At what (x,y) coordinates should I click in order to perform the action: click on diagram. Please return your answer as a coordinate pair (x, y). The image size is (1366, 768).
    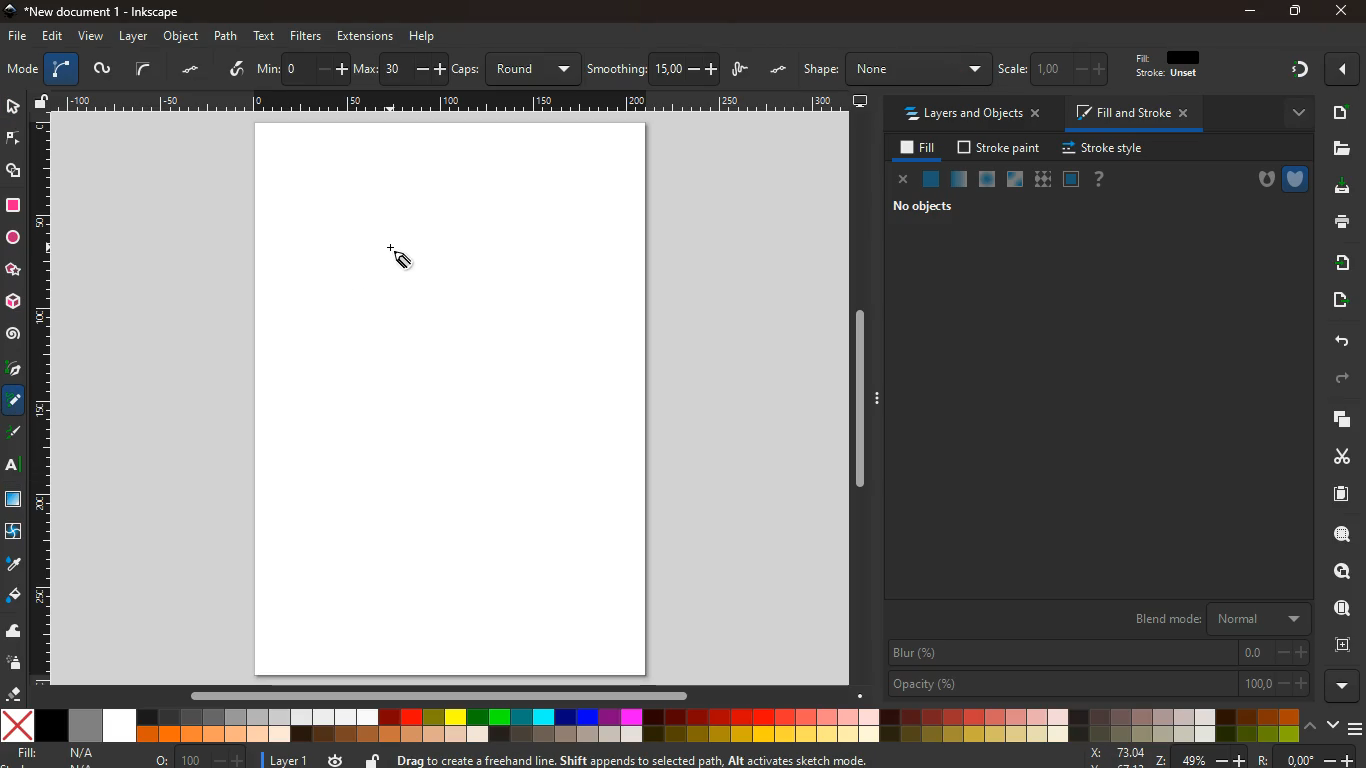
    Looking at the image, I should click on (1299, 72).